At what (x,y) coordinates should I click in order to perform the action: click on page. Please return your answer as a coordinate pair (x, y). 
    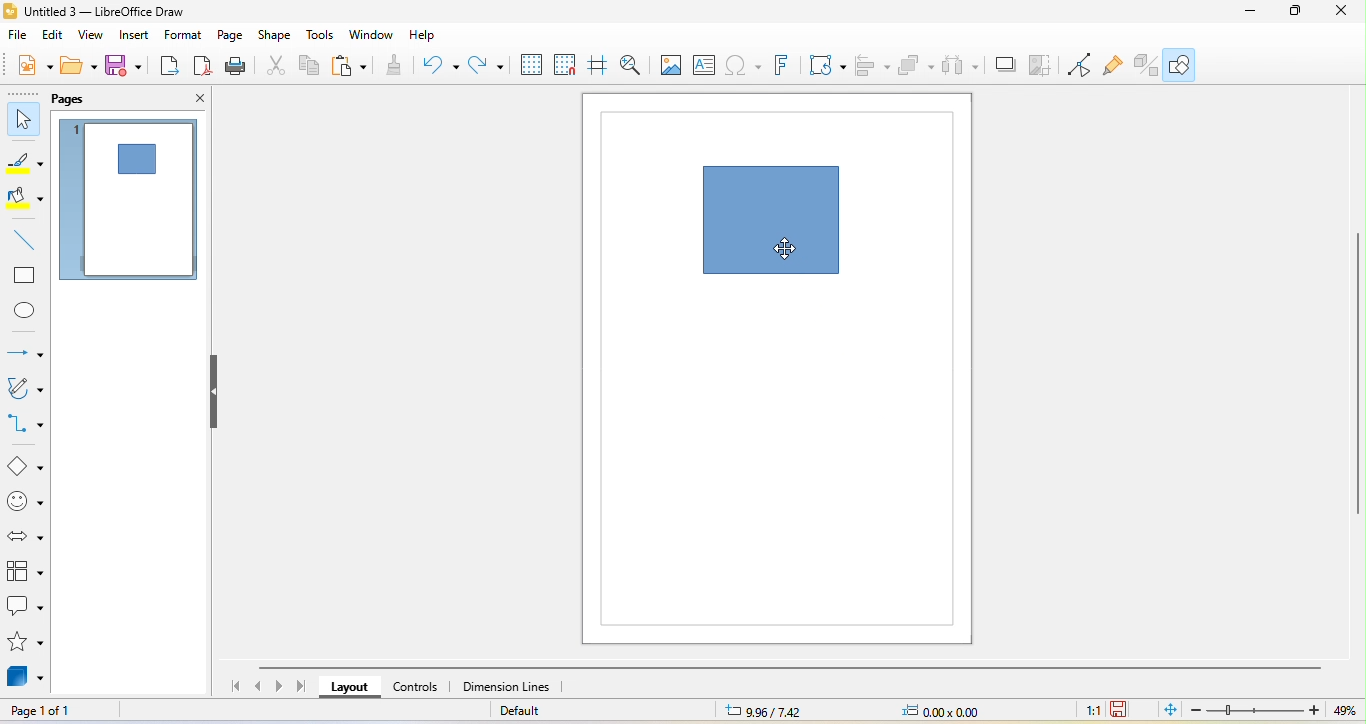
    Looking at the image, I should click on (234, 37).